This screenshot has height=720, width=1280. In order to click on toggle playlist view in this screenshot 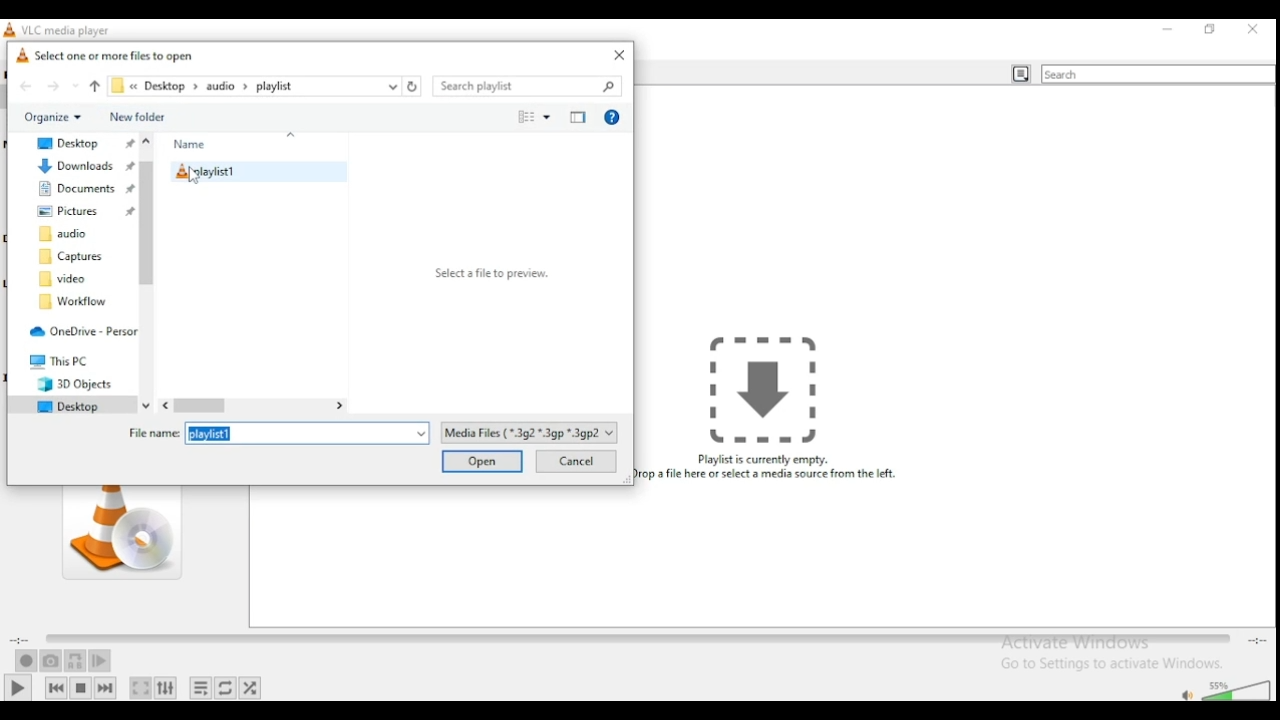, I will do `click(1019, 73)`.